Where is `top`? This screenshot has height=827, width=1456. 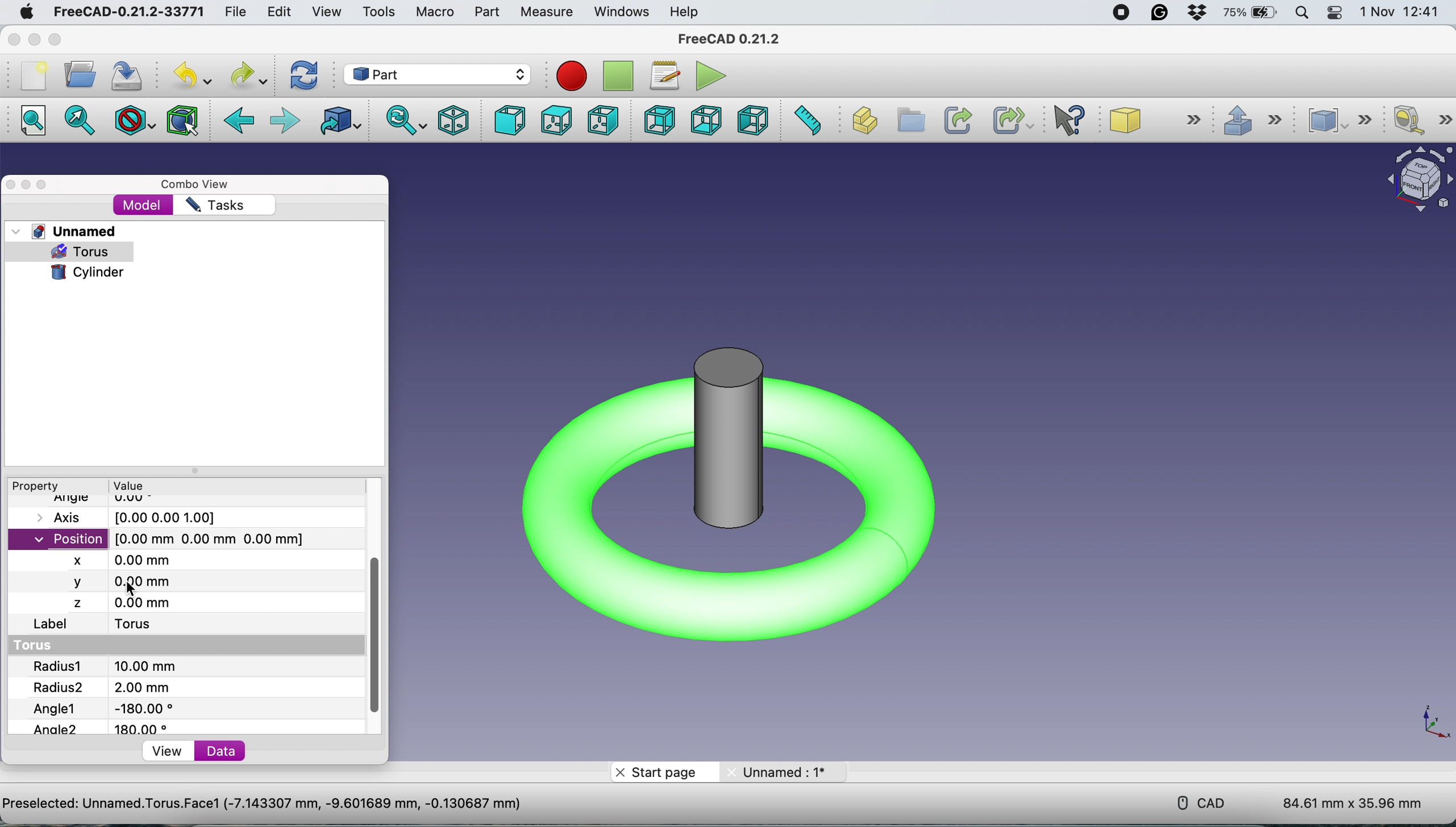
top is located at coordinates (556, 122).